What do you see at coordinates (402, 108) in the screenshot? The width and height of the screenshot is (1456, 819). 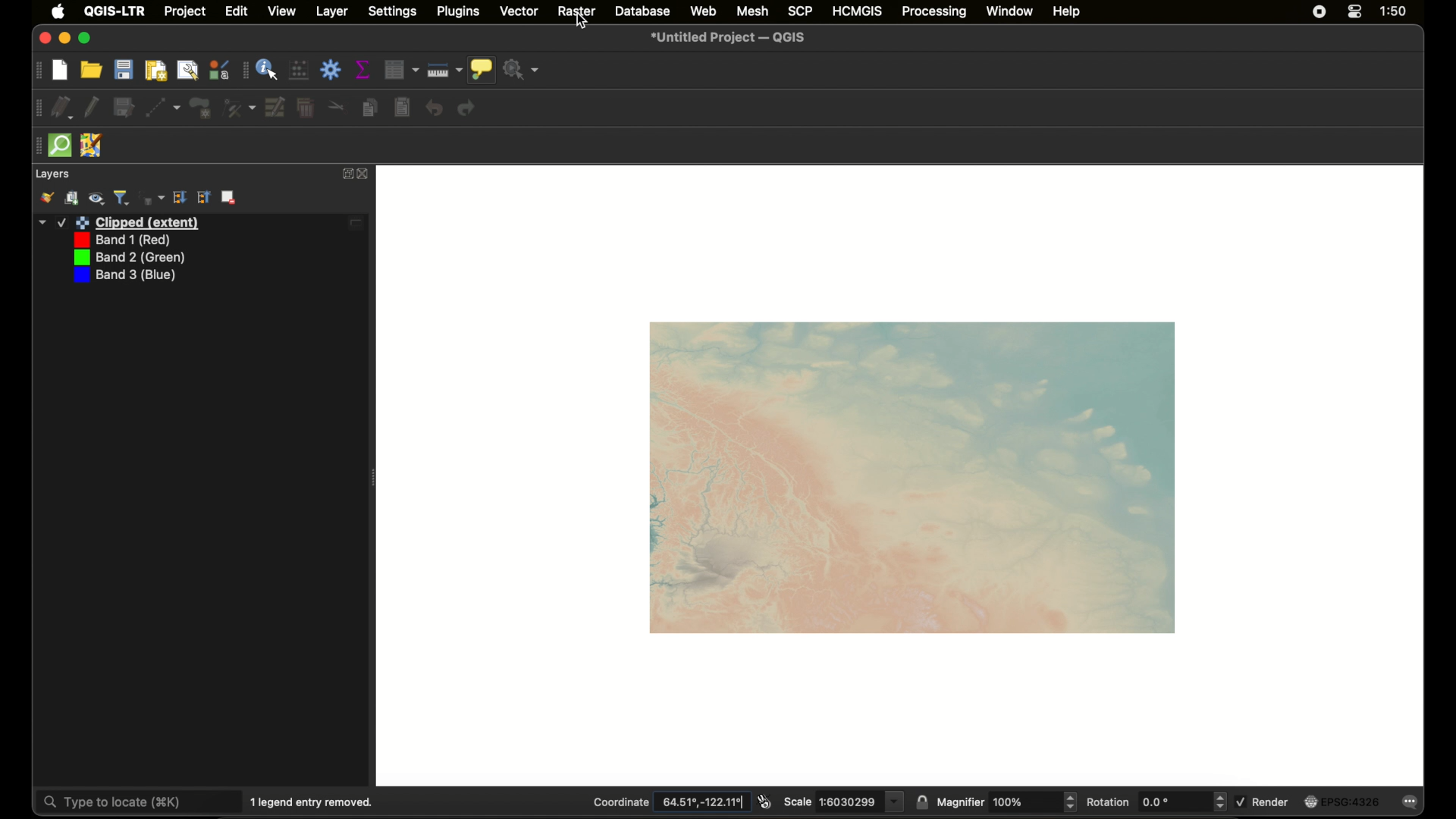 I see `paste features` at bounding box center [402, 108].